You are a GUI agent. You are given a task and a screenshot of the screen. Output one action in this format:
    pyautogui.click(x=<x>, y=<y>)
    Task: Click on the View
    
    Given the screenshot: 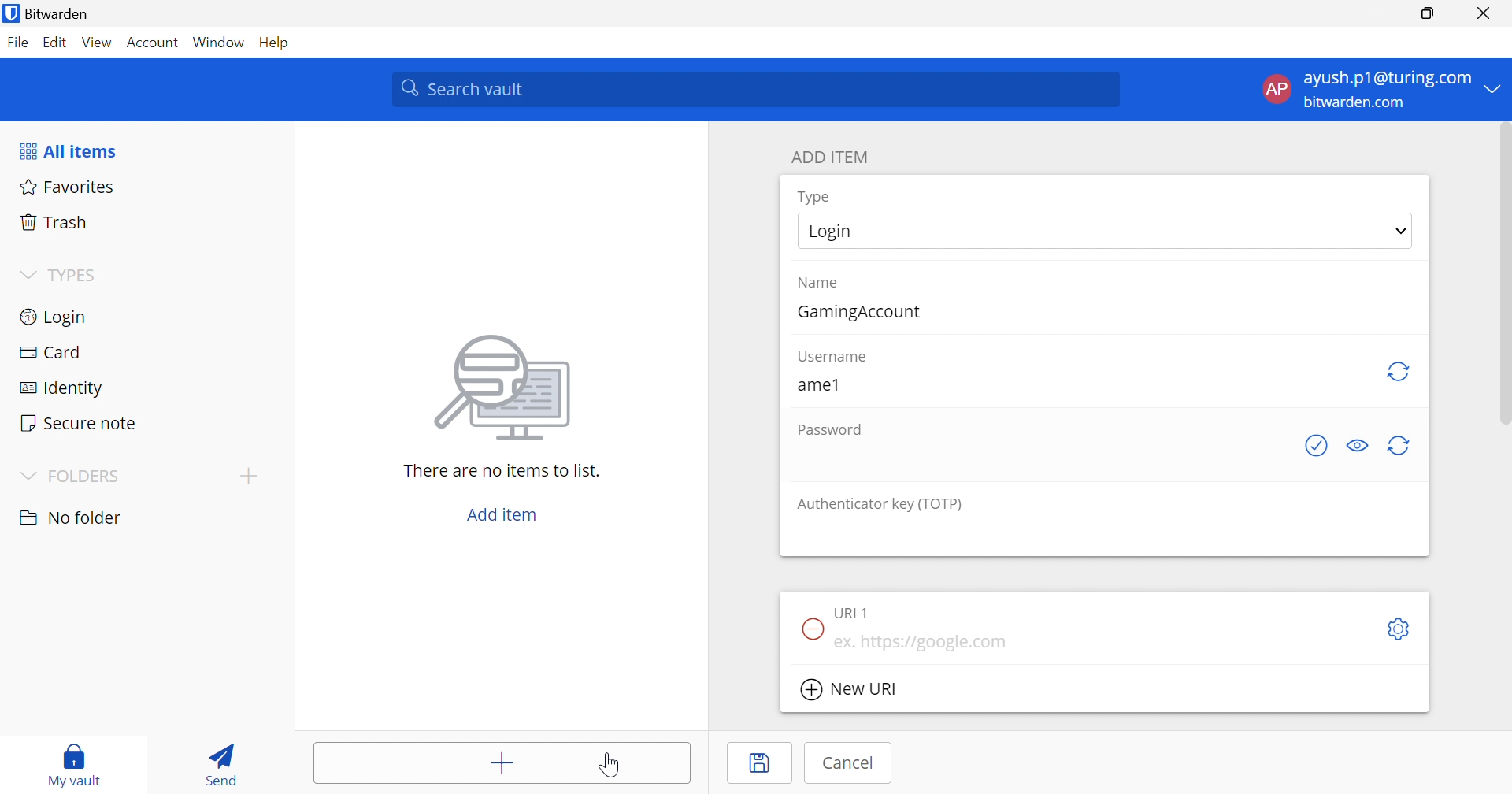 What is the action you would take?
    pyautogui.click(x=100, y=43)
    